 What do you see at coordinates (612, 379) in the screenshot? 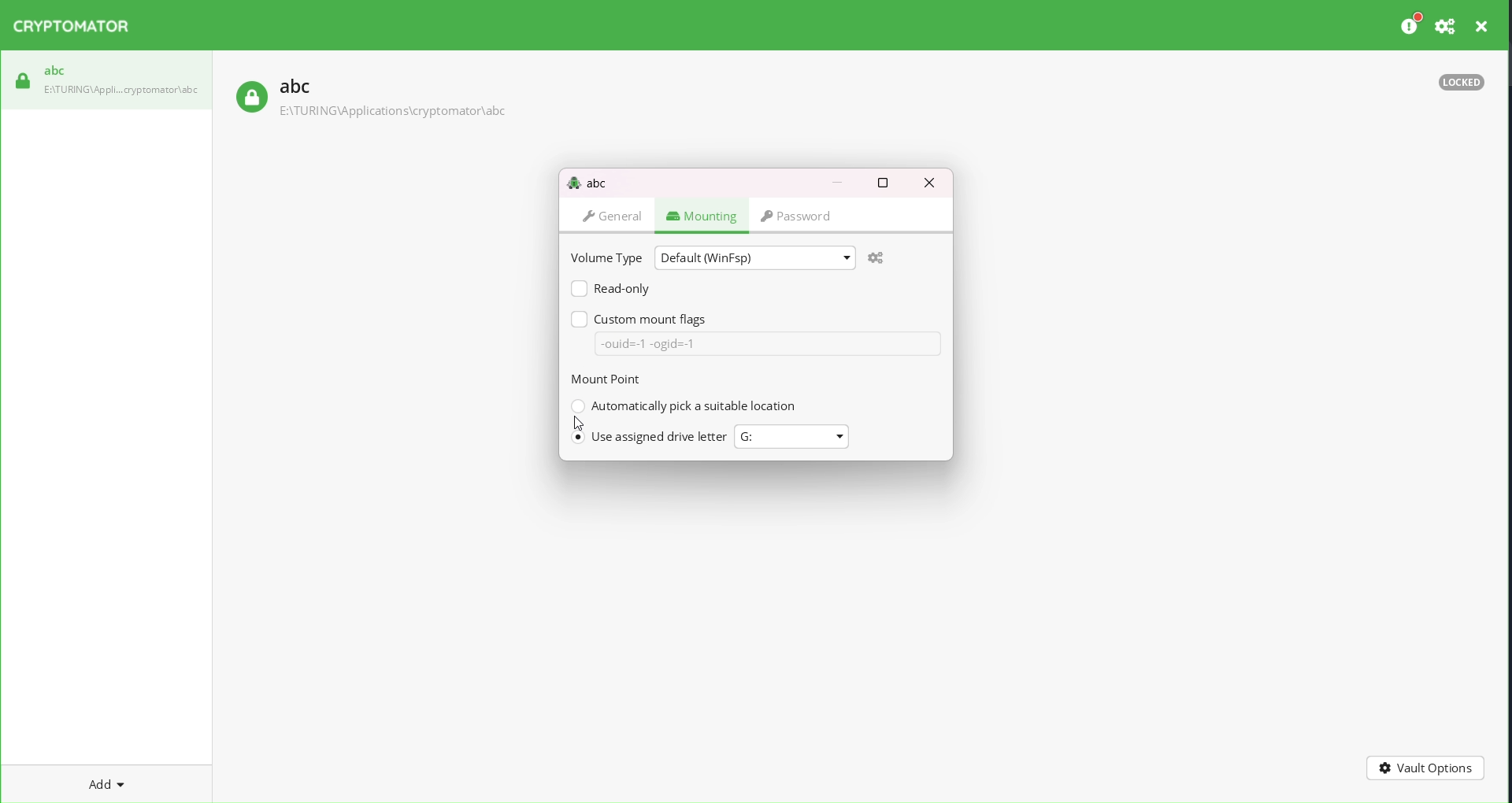
I see `mount point` at bounding box center [612, 379].